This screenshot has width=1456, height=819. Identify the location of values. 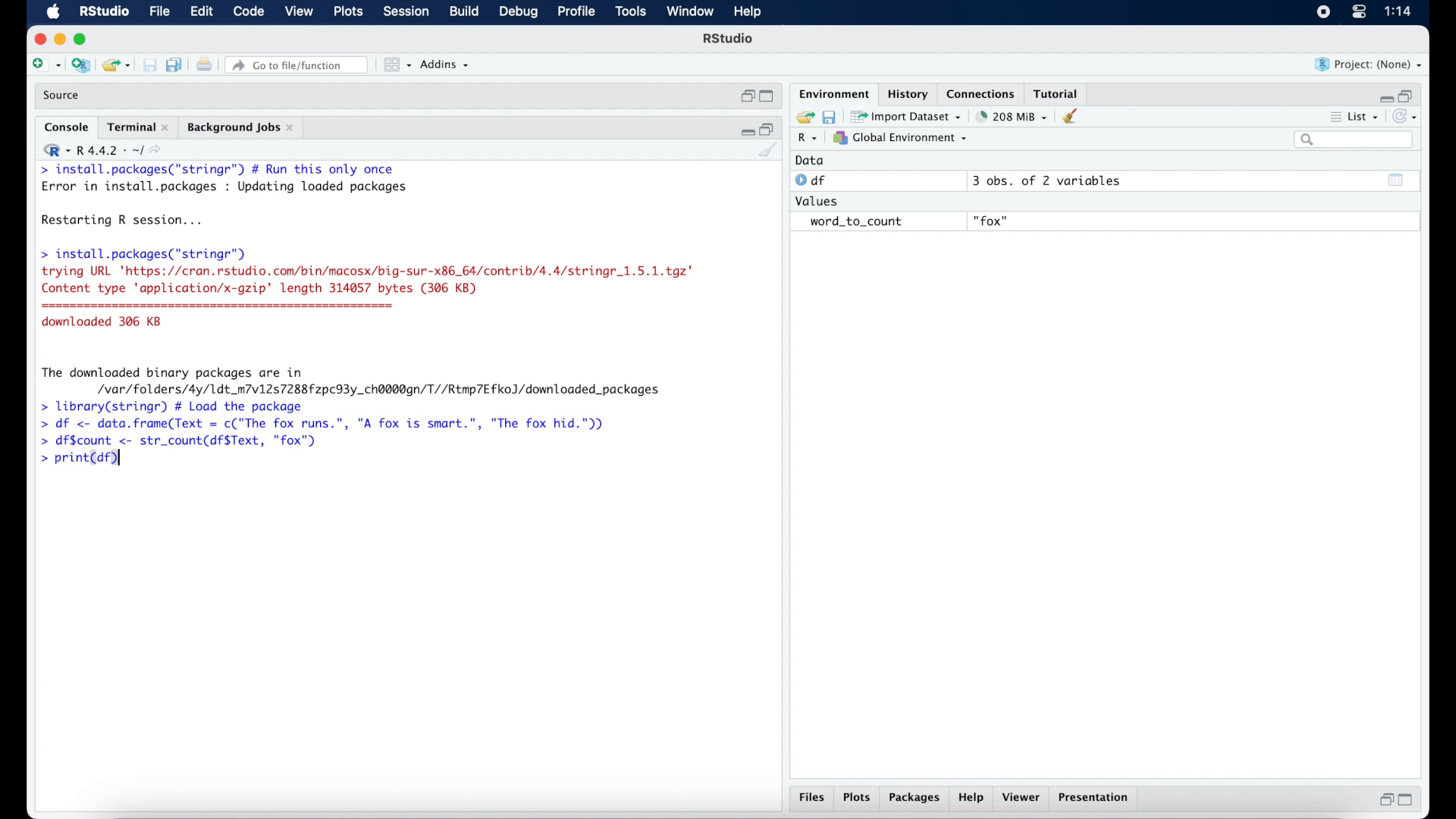
(818, 199).